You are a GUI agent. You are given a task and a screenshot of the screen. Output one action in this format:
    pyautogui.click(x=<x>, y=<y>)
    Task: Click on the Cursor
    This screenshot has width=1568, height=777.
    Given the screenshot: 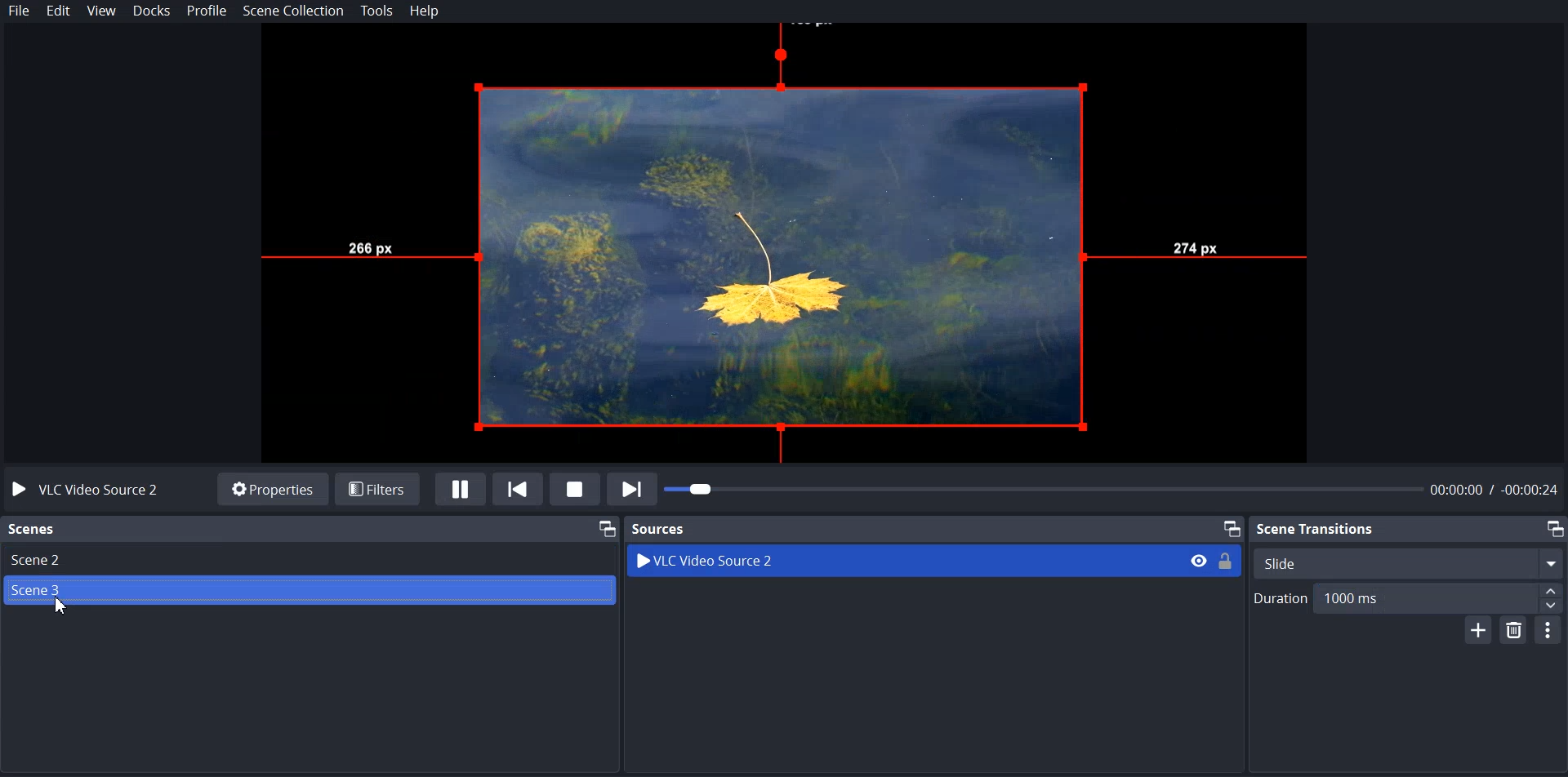 What is the action you would take?
    pyautogui.click(x=62, y=606)
    